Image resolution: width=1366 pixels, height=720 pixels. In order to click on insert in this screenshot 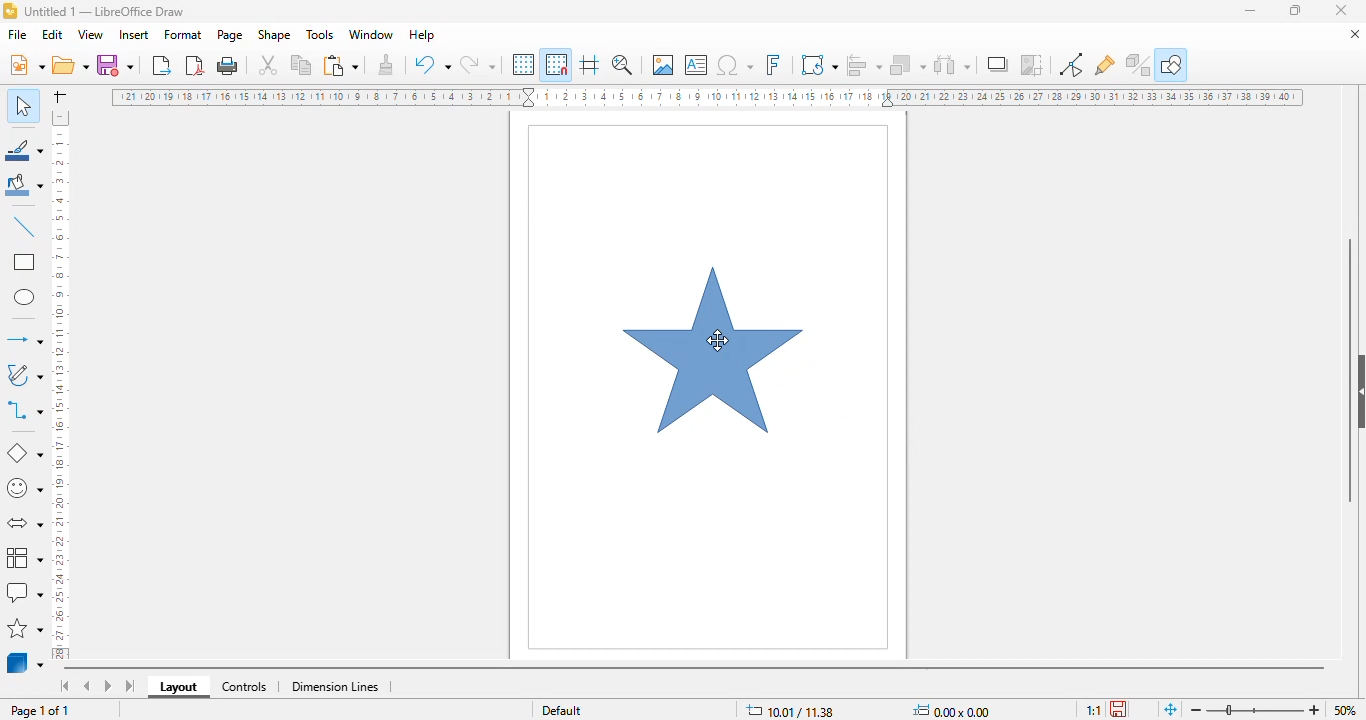, I will do `click(134, 34)`.